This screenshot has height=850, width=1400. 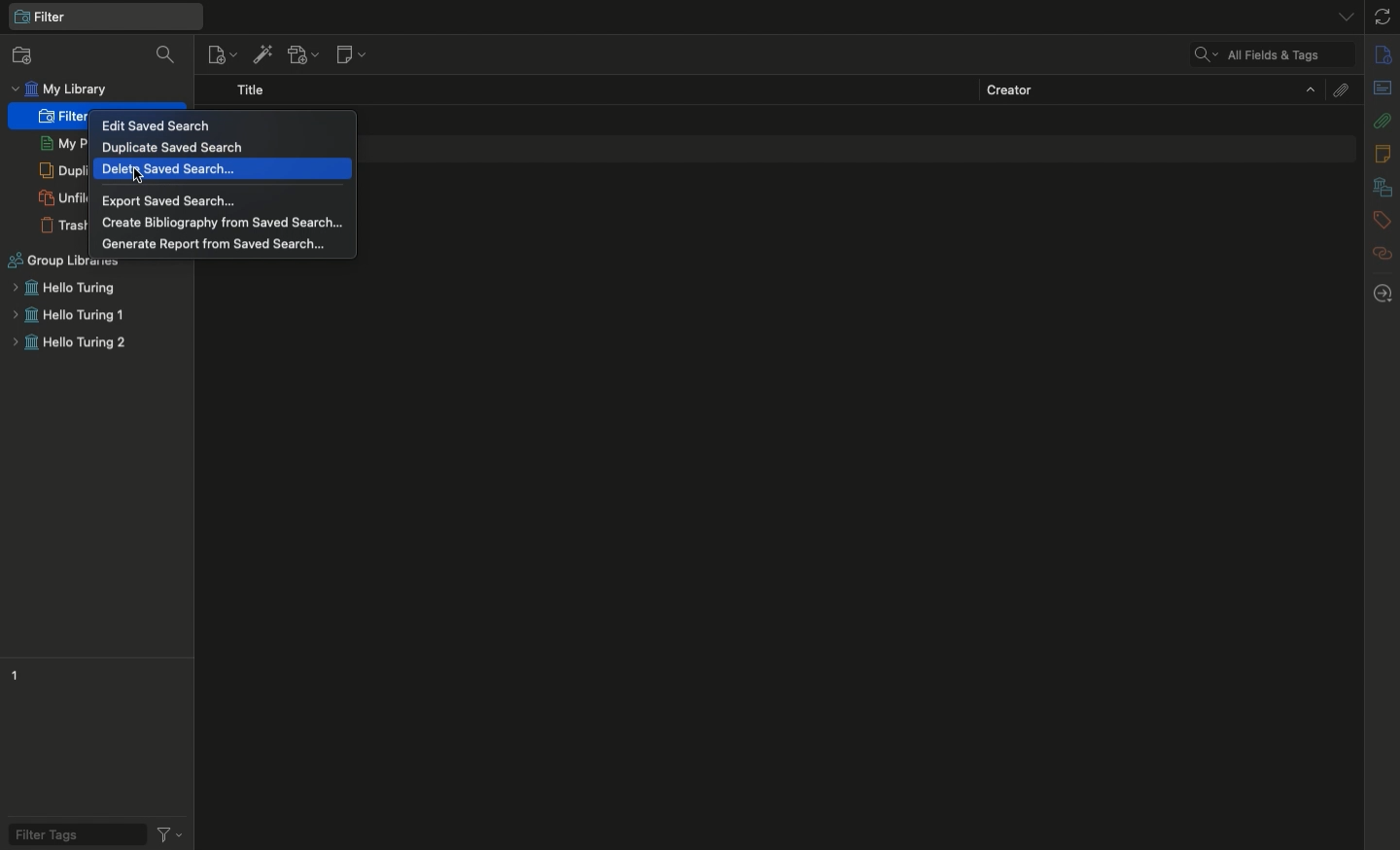 What do you see at coordinates (1384, 55) in the screenshot?
I see `Info` at bounding box center [1384, 55].